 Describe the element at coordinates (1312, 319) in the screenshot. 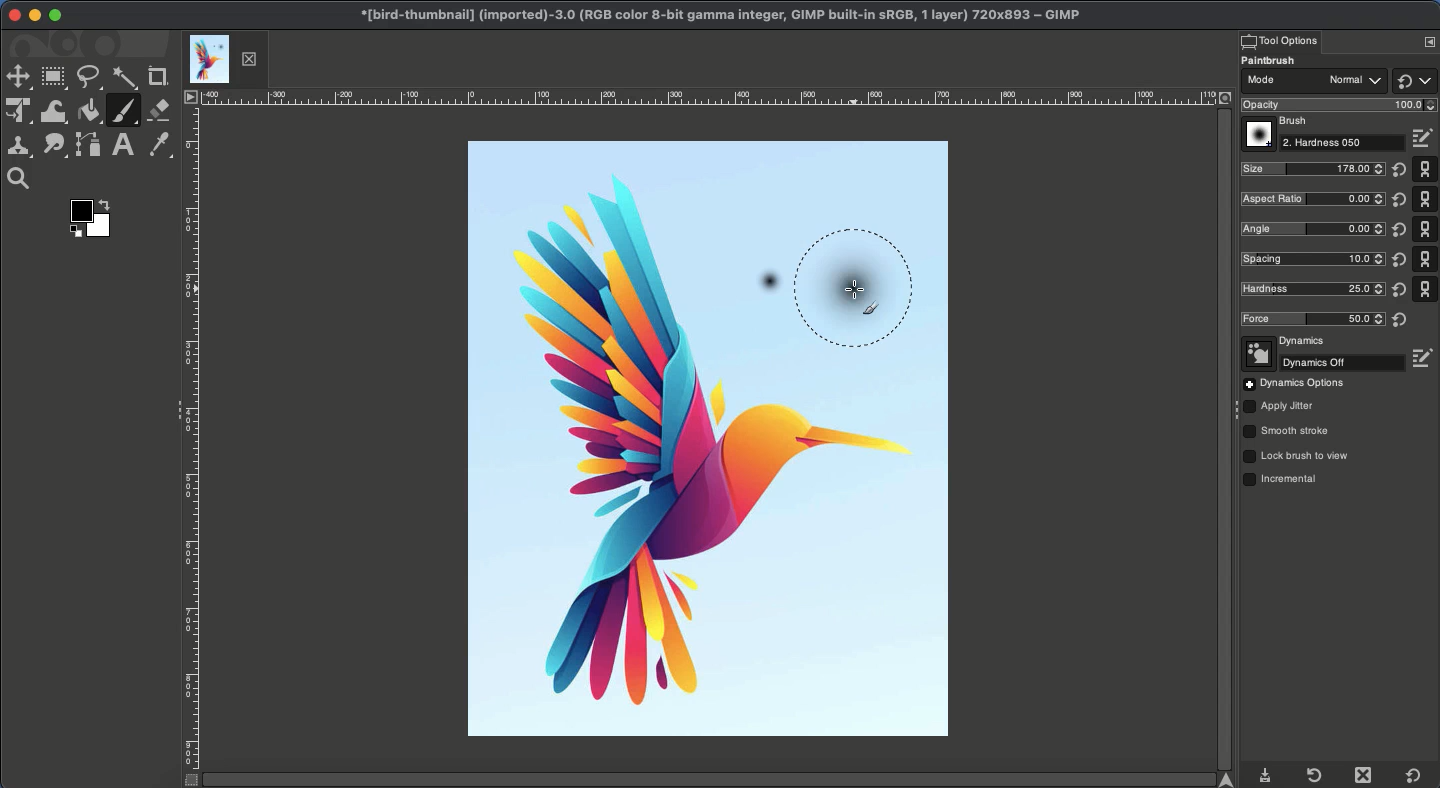

I see `Force` at that location.